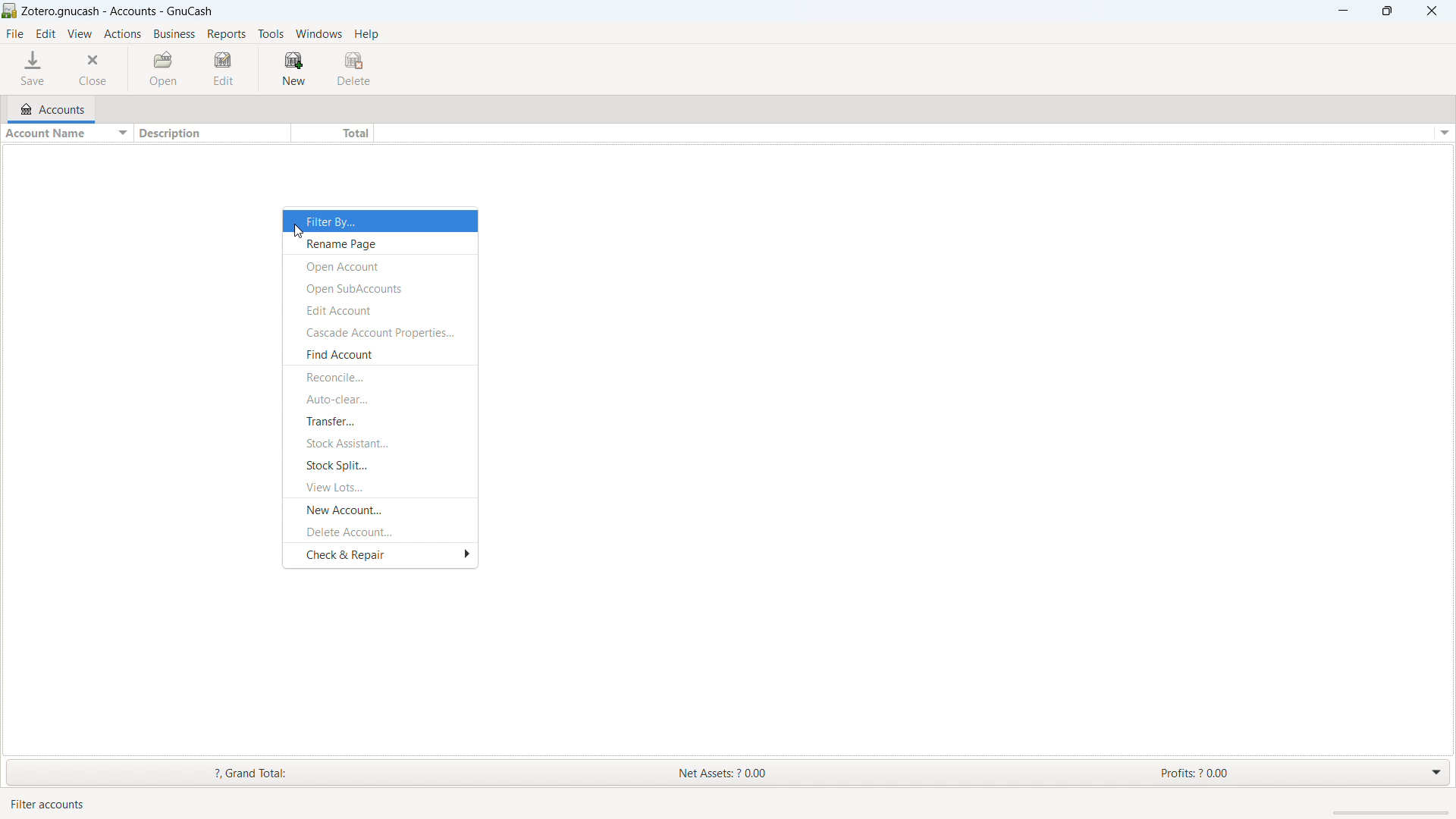 Image resolution: width=1456 pixels, height=819 pixels. Describe the element at coordinates (319, 34) in the screenshot. I see `windows` at that location.